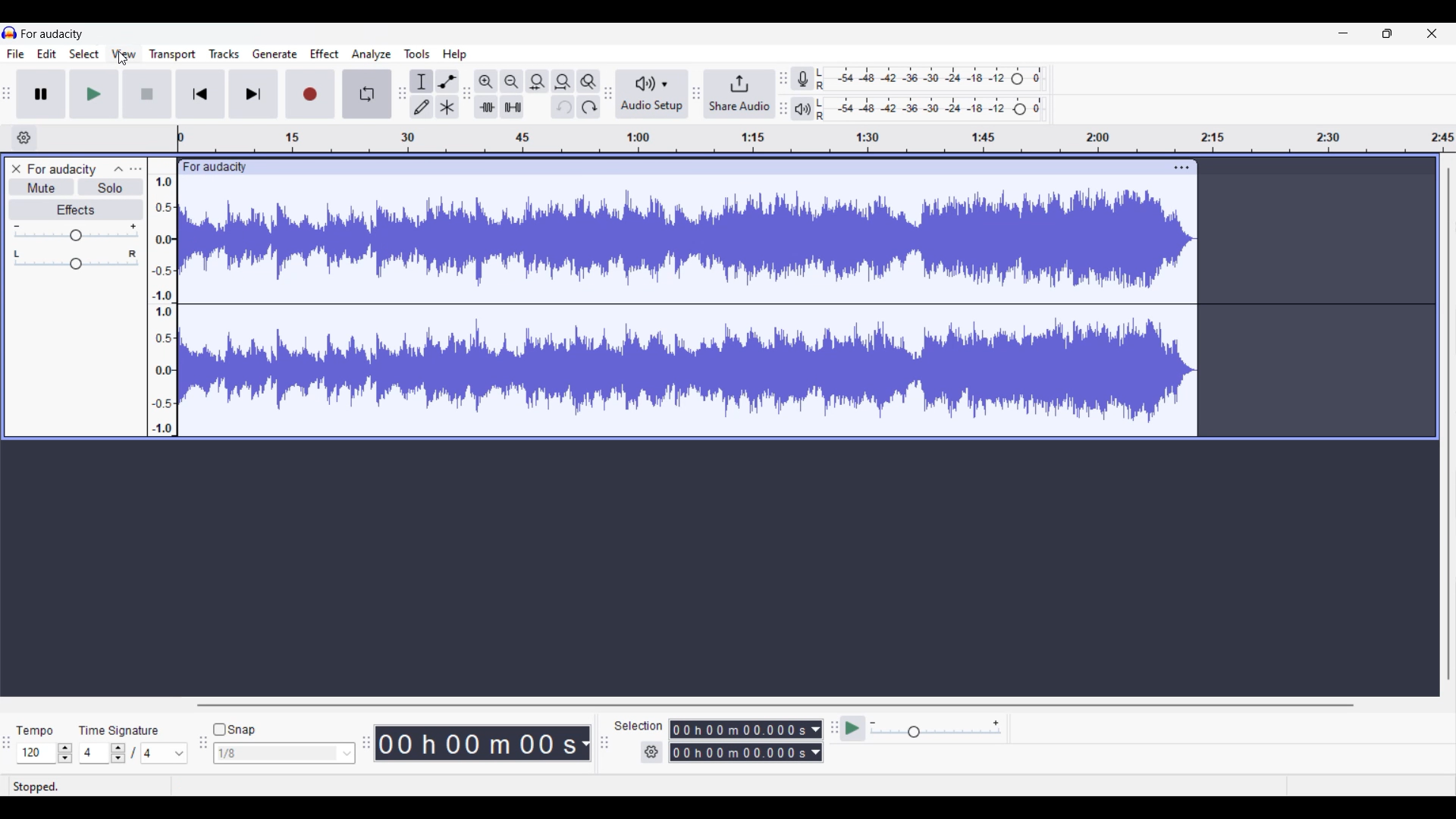  I want to click on Record meter, so click(803, 79).